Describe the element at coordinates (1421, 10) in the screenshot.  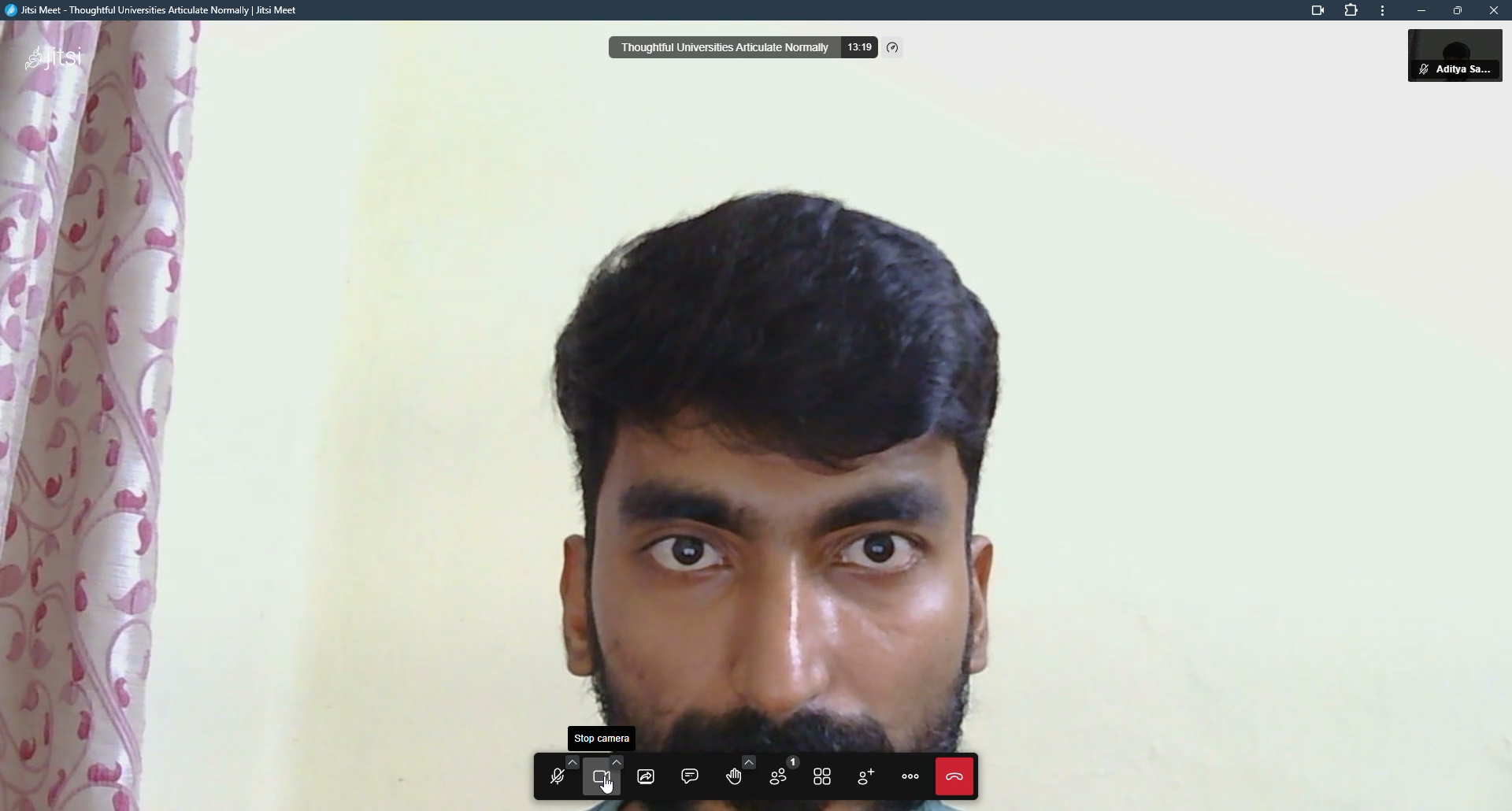
I see `minimize` at that location.